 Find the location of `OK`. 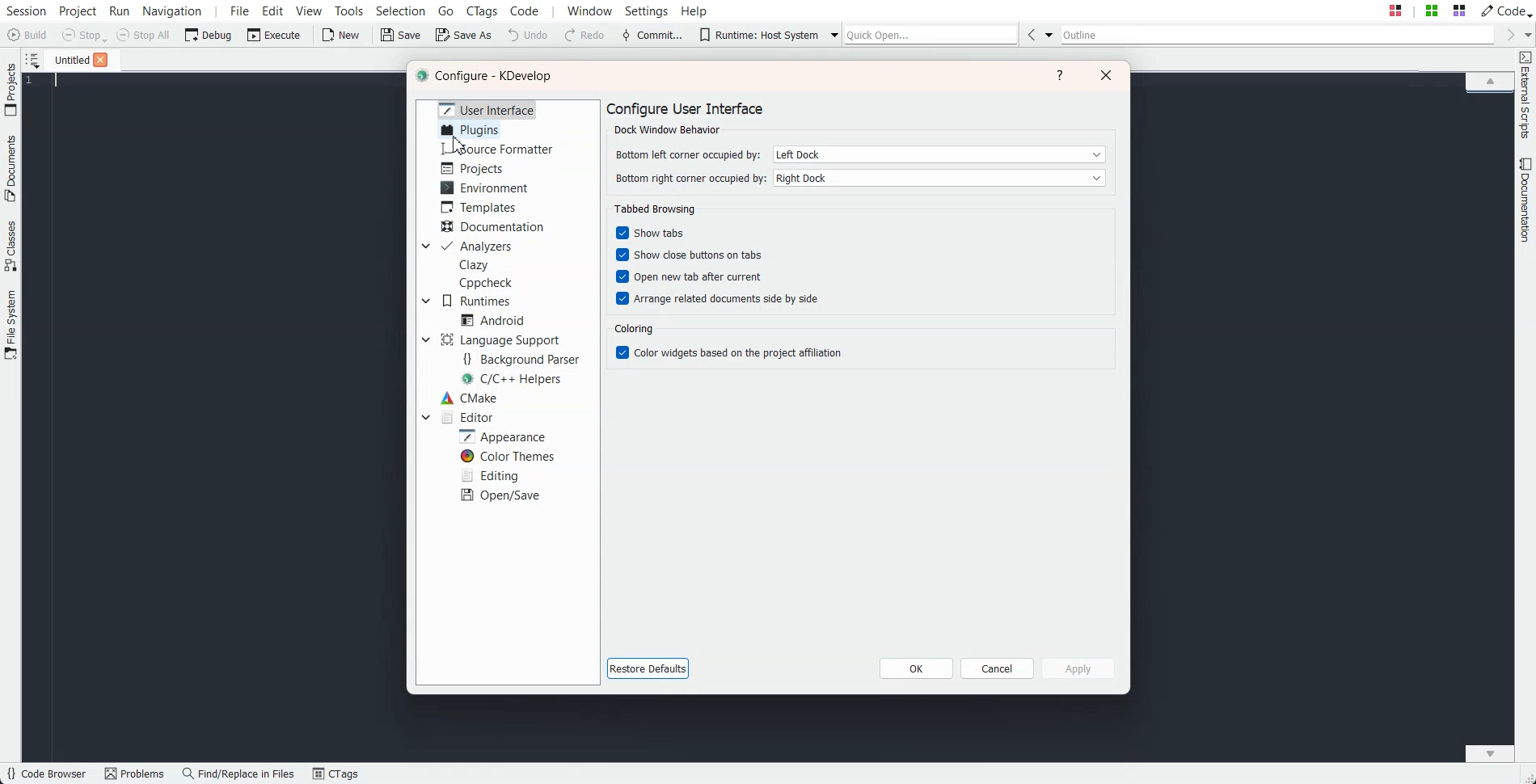

OK is located at coordinates (916, 668).